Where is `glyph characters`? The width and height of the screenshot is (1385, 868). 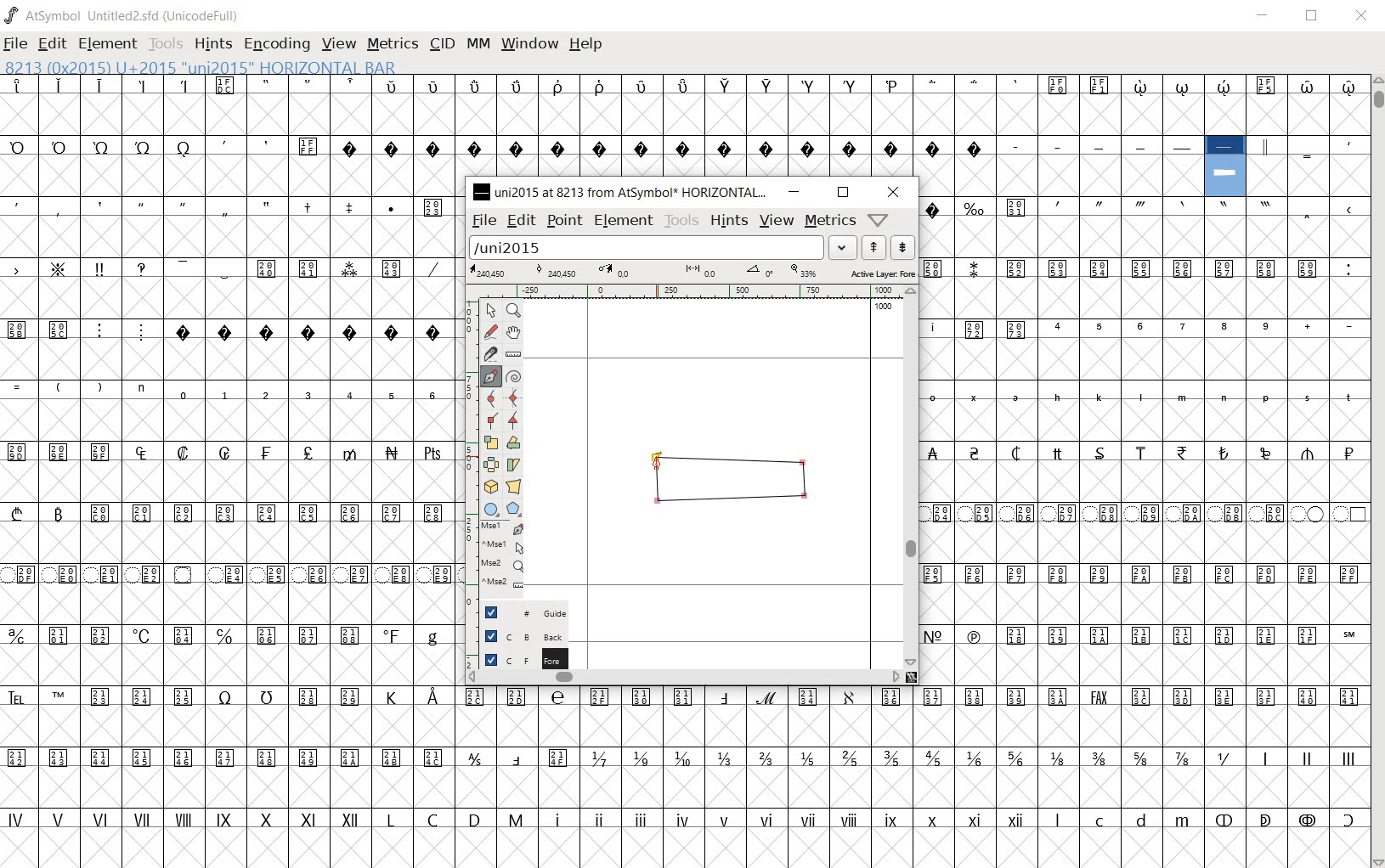
glyph characters is located at coordinates (928, 105).